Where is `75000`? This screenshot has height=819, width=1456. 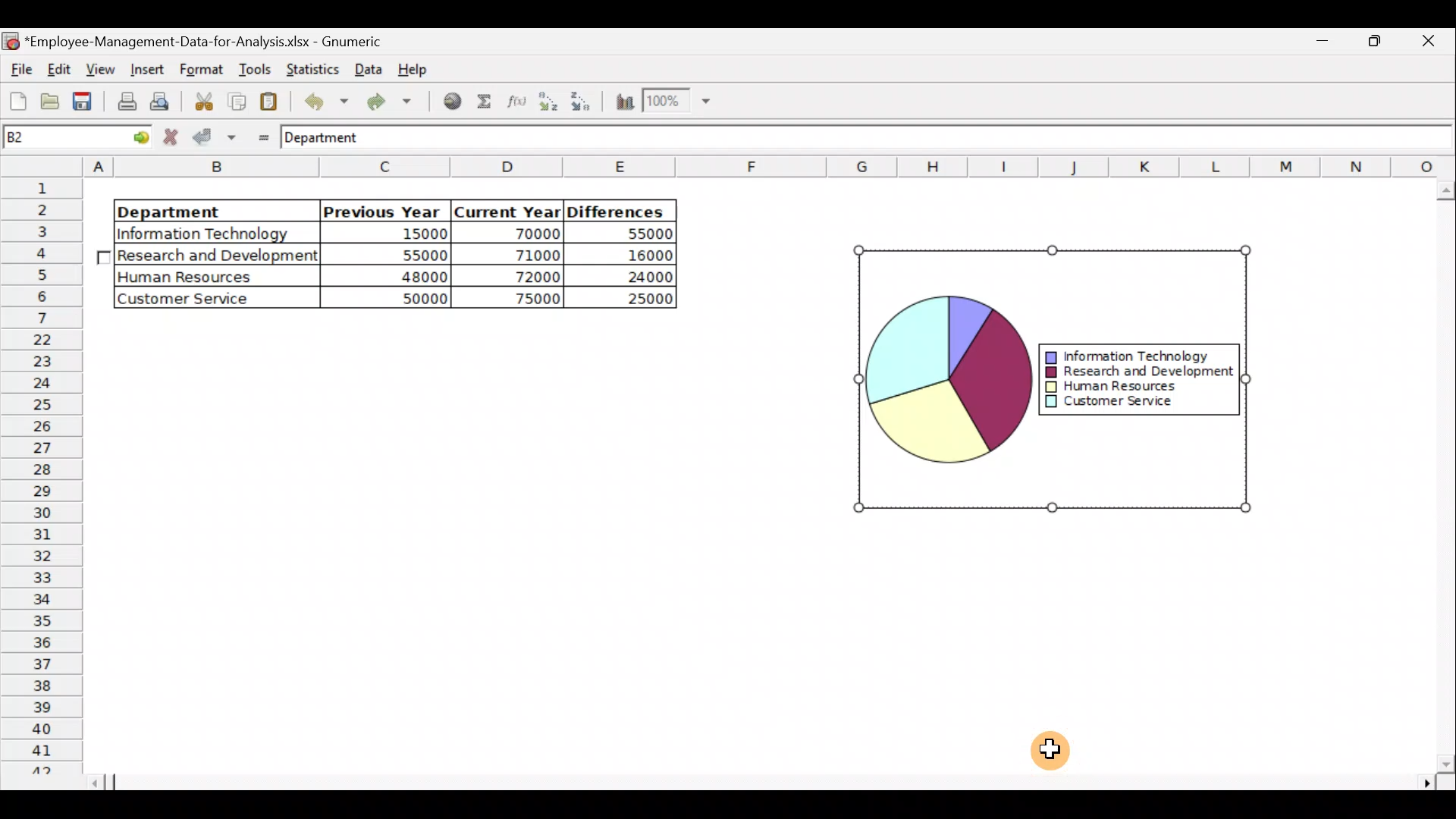
75000 is located at coordinates (517, 300).